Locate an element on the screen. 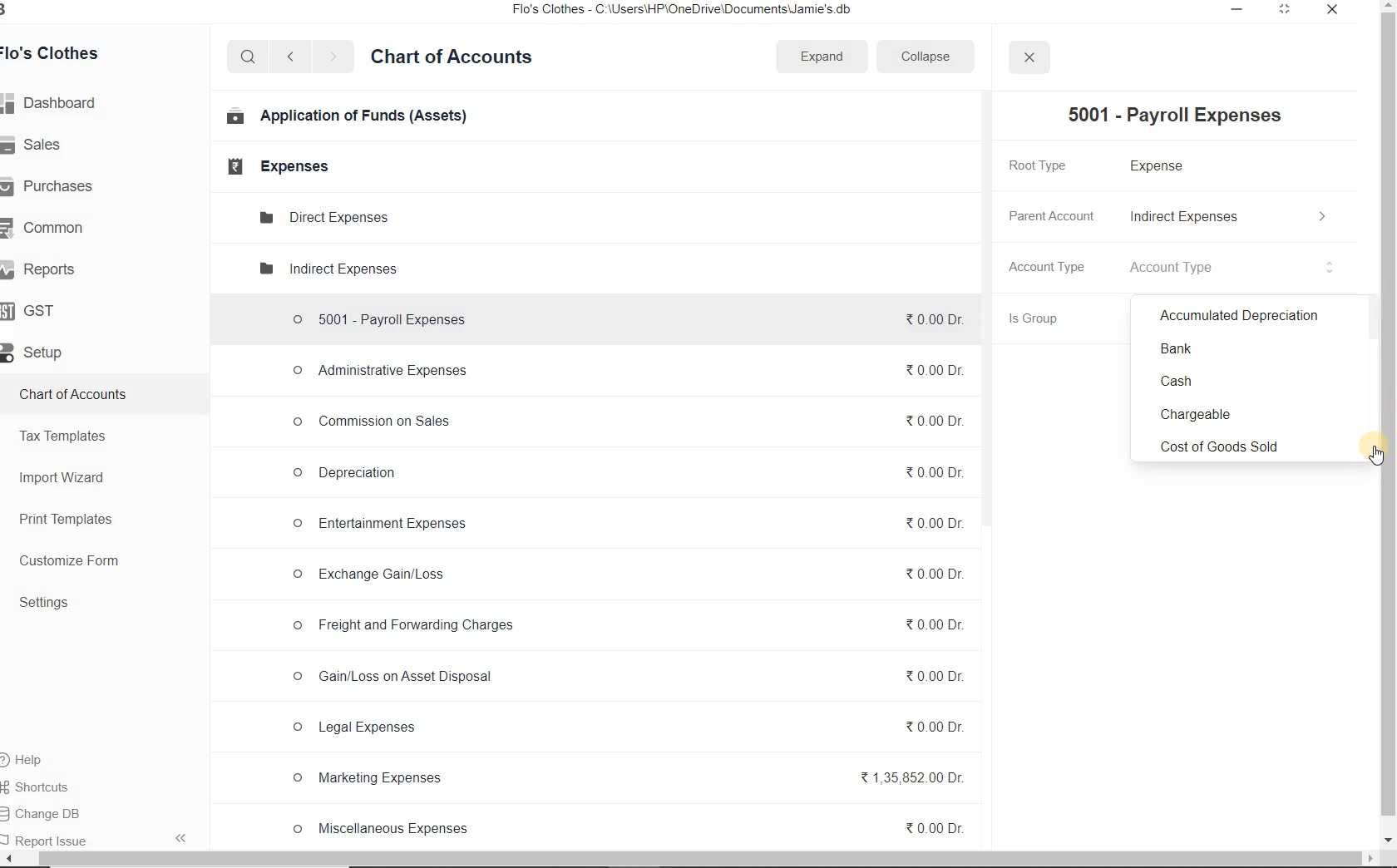 This screenshot has width=1397, height=868. Tax Templates is located at coordinates (68, 436).